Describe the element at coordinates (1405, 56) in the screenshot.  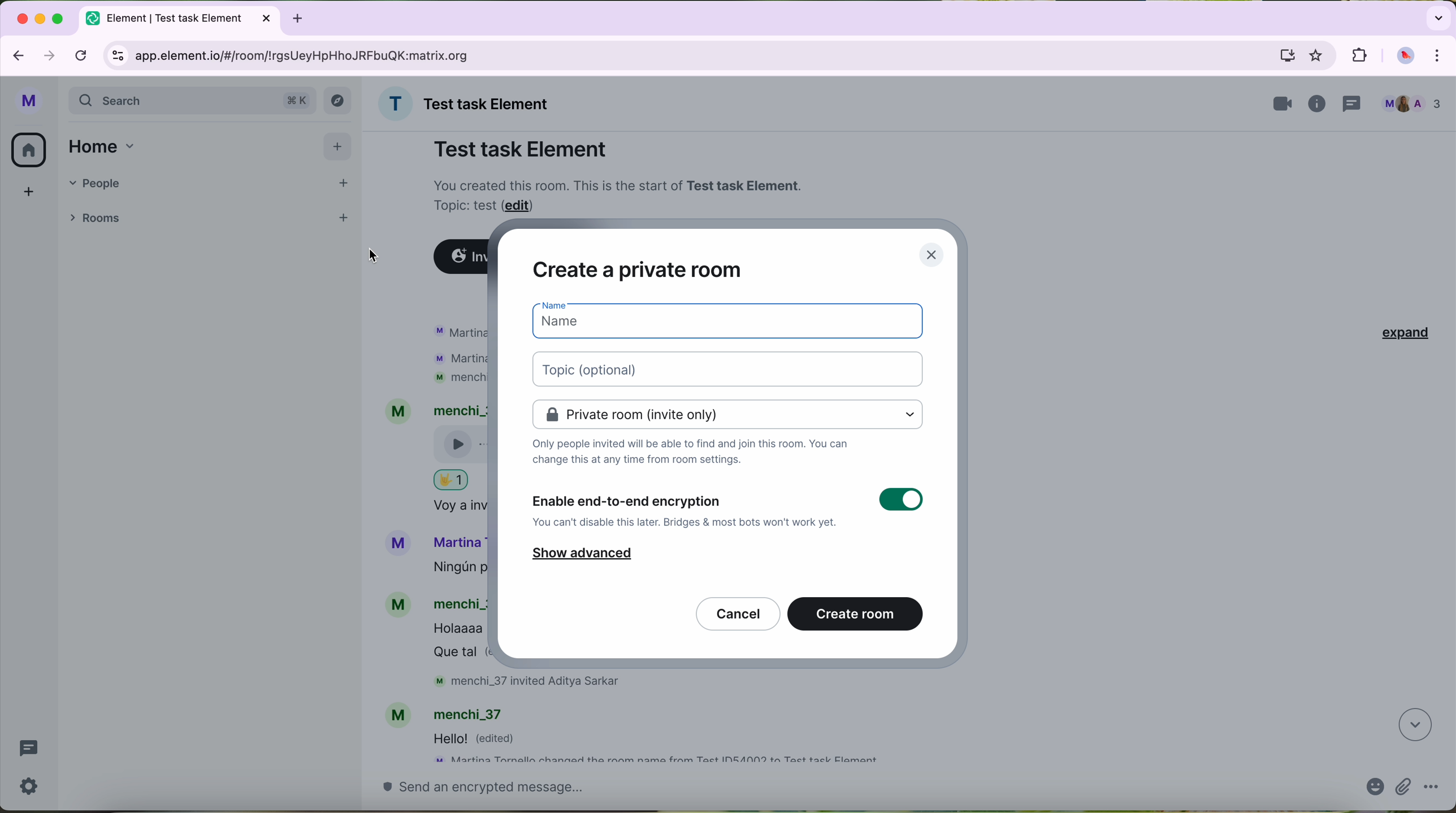
I see `profile picture` at that location.